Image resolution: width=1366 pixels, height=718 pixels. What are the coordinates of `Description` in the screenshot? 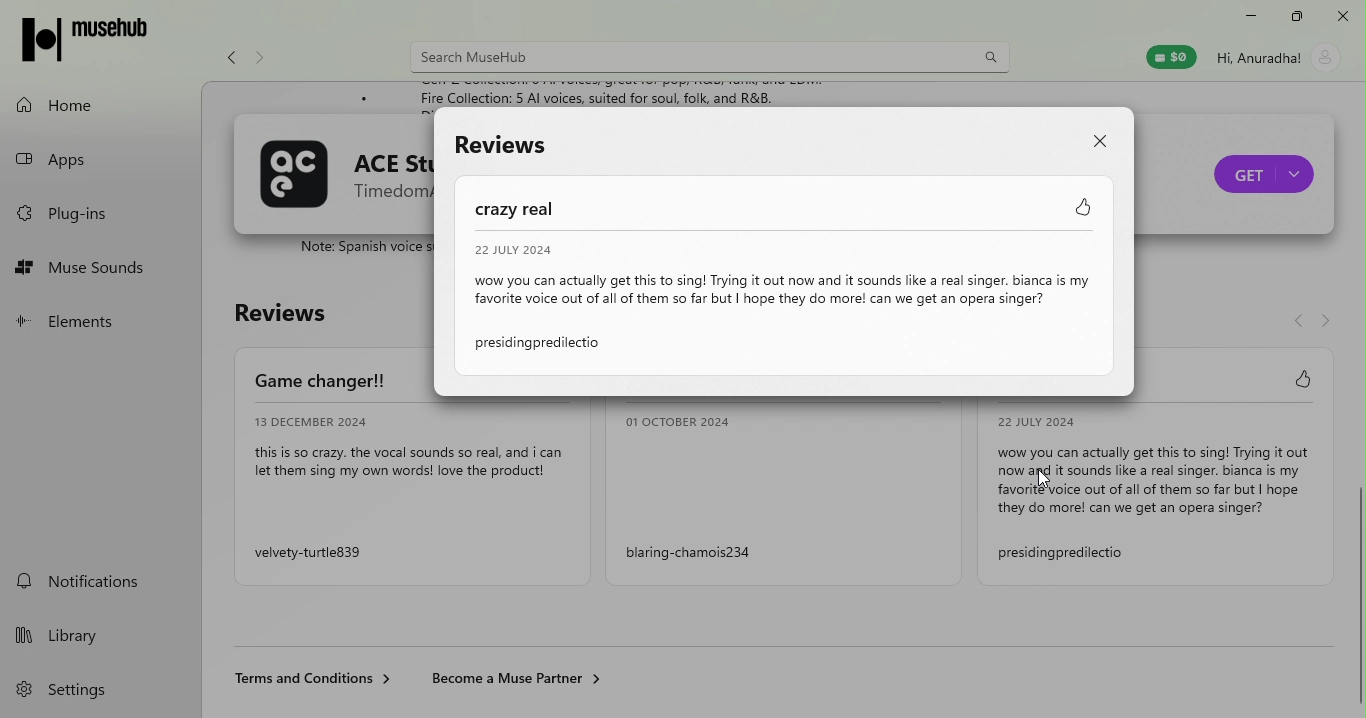 It's located at (291, 100).